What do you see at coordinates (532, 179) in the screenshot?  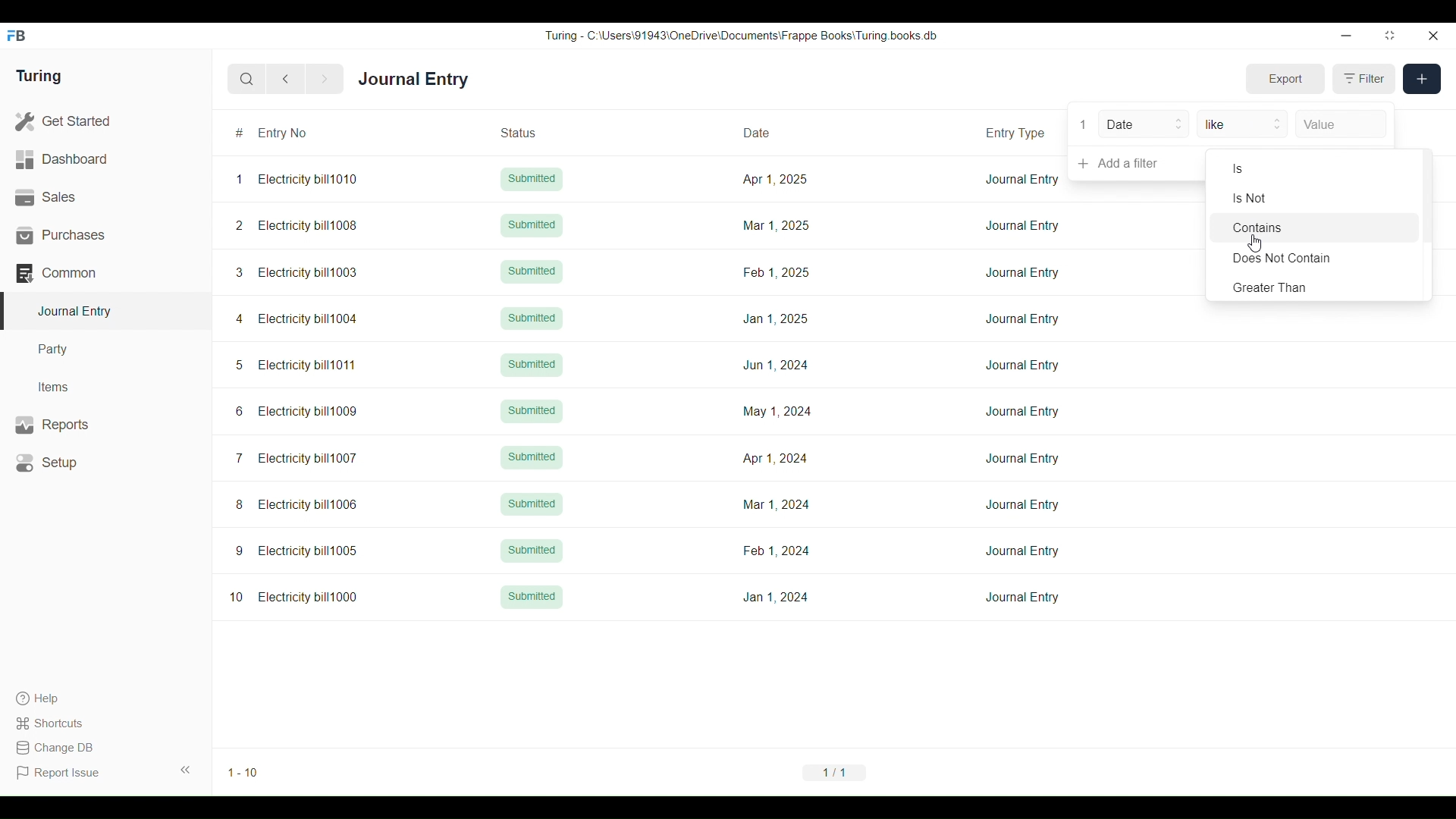 I see `Submitted` at bounding box center [532, 179].